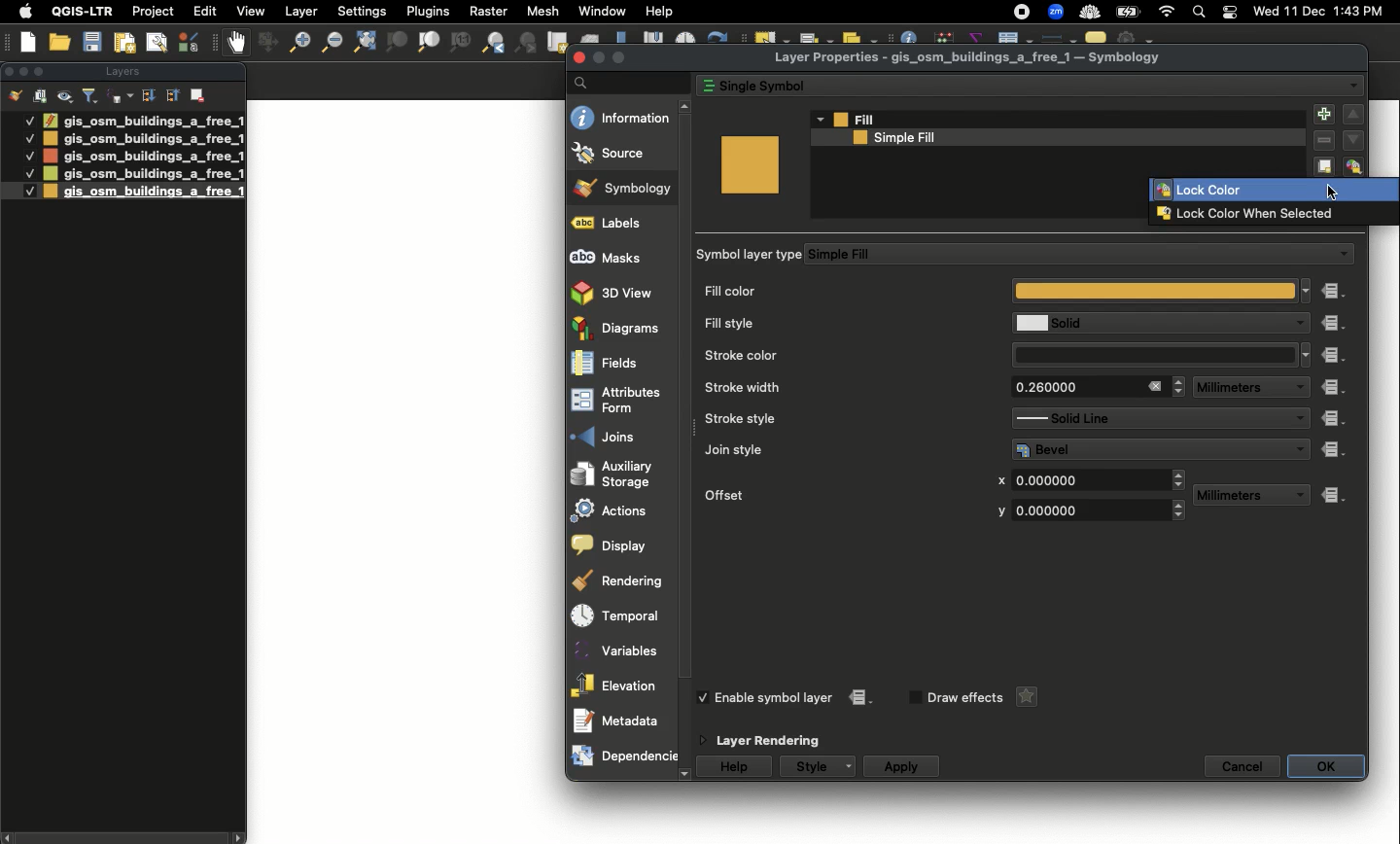 Image resolution: width=1400 pixels, height=844 pixels. I want to click on Masks, so click(618, 255).